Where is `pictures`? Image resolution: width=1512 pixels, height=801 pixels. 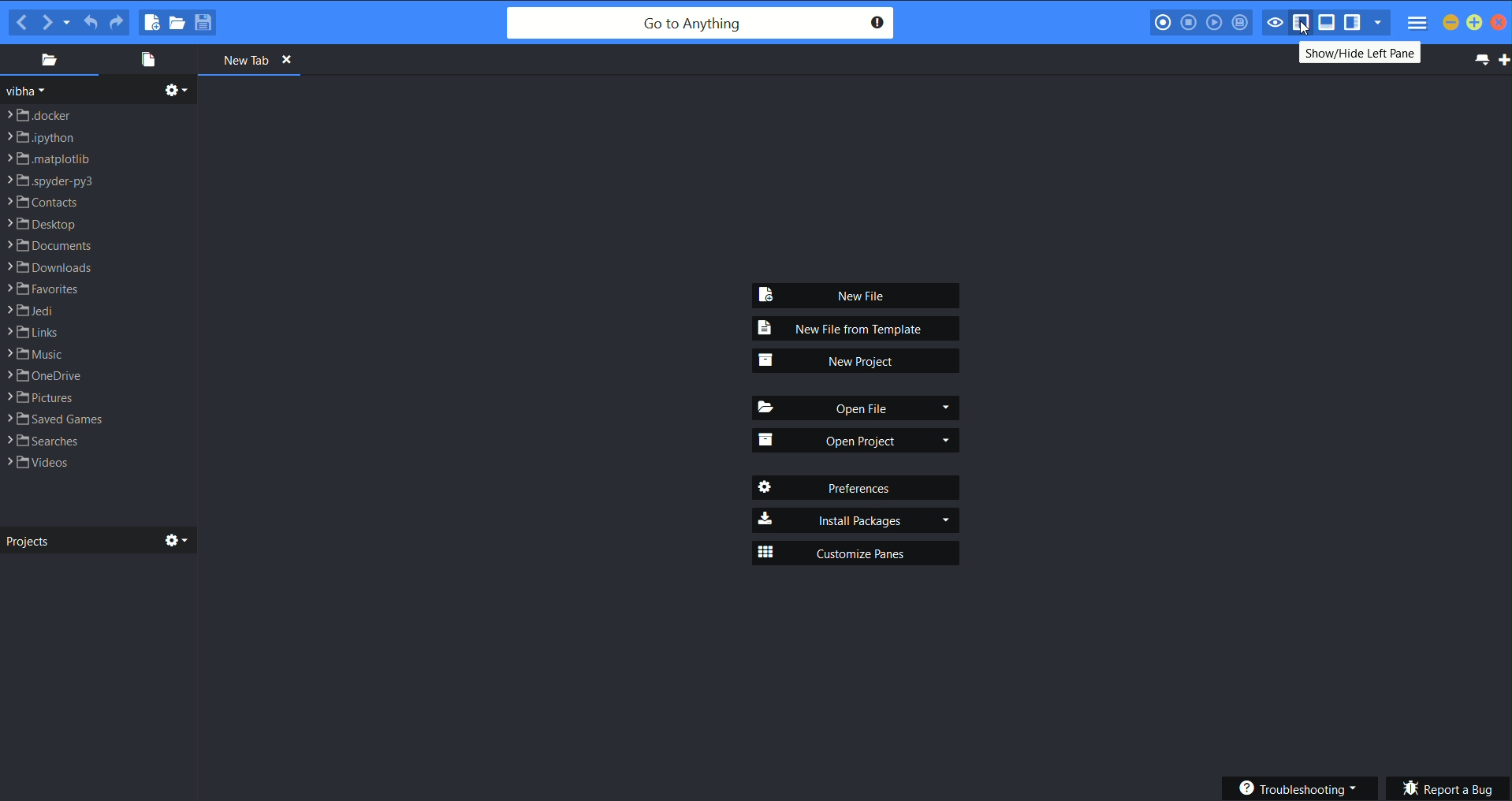 pictures is located at coordinates (41, 398).